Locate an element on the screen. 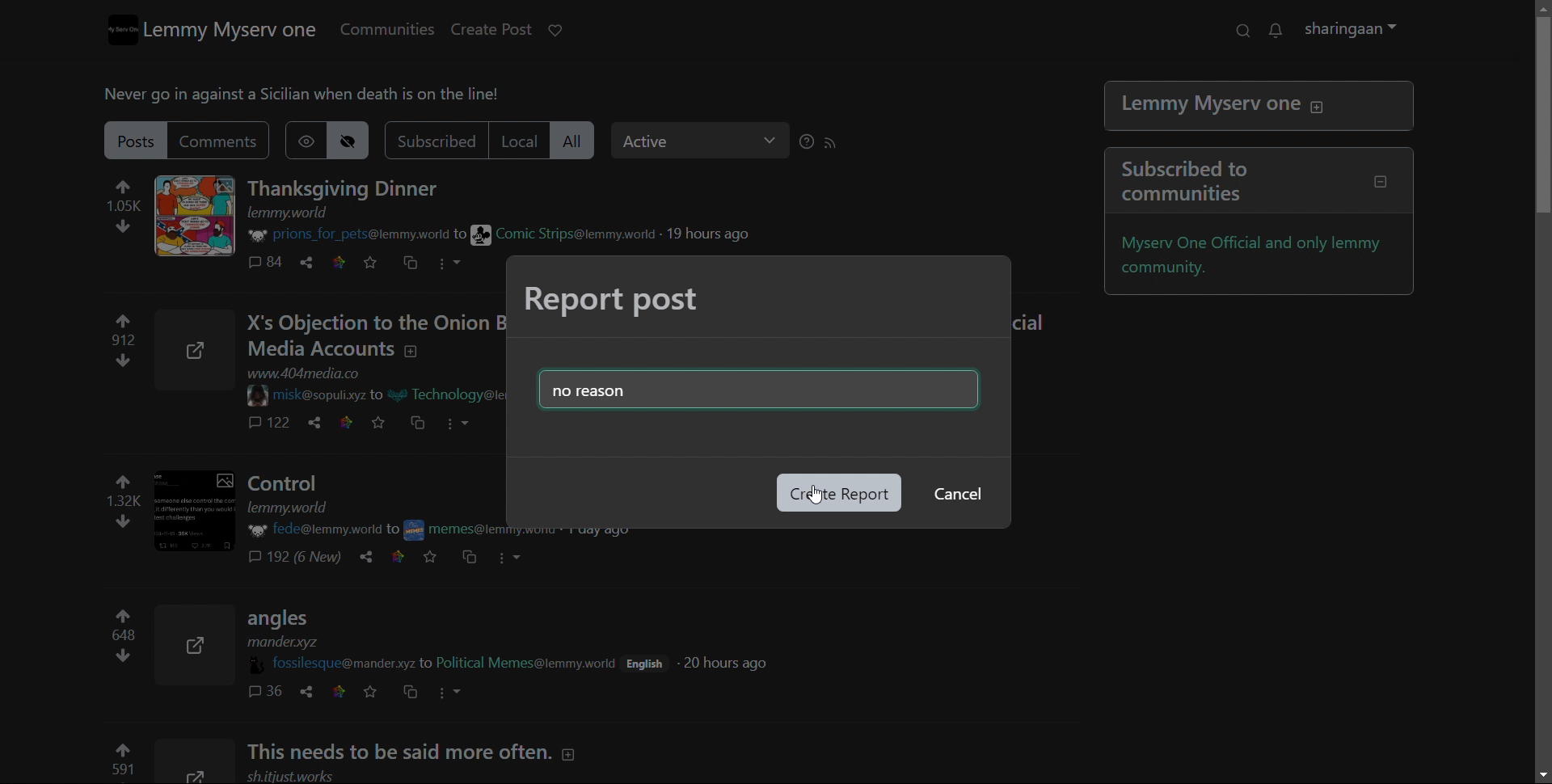  cancel is located at coordinates (955, 495).